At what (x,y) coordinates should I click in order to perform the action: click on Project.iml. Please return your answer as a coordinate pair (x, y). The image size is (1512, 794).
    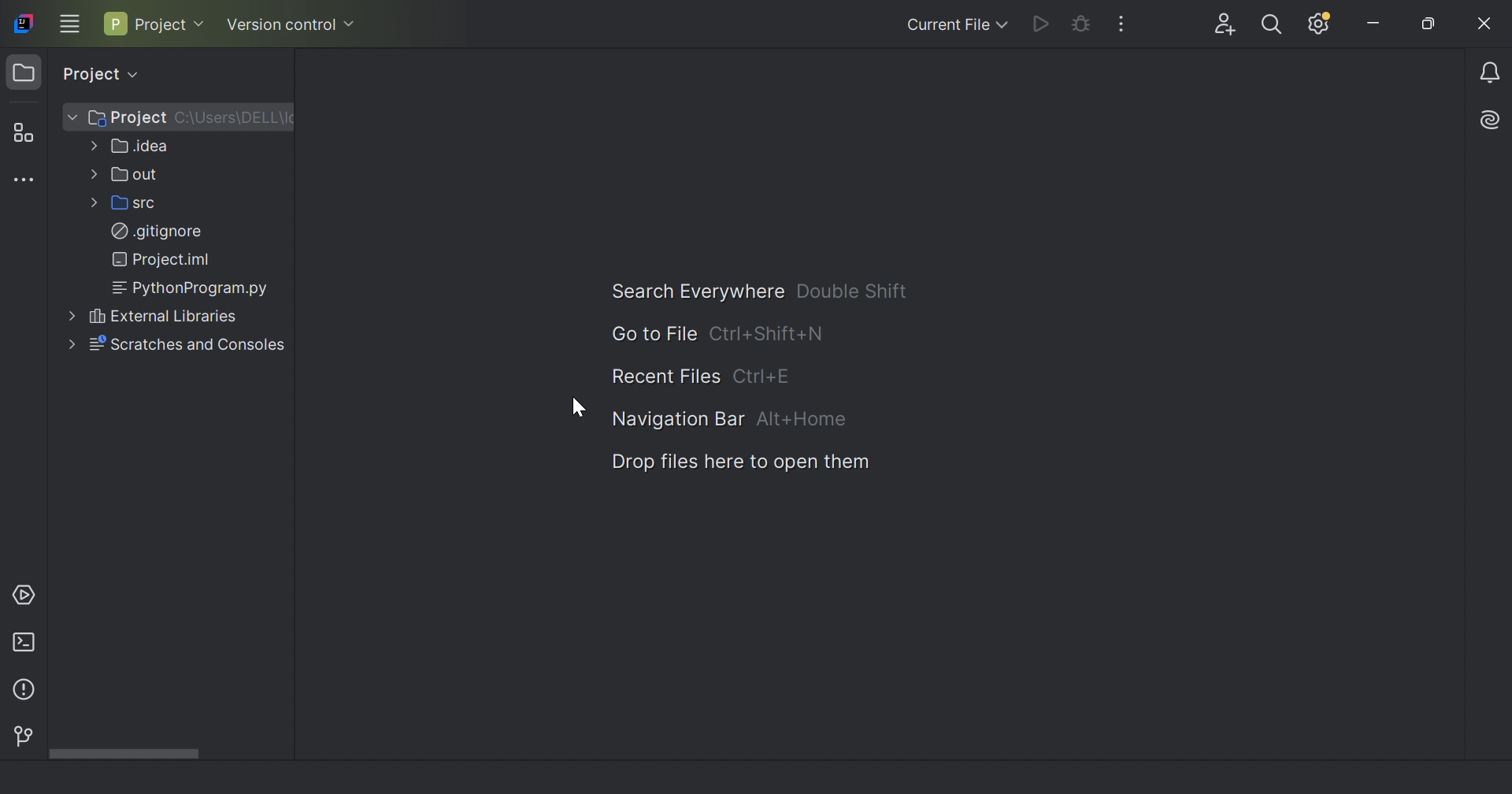
    Looking at the image, I should click on (164, 258).